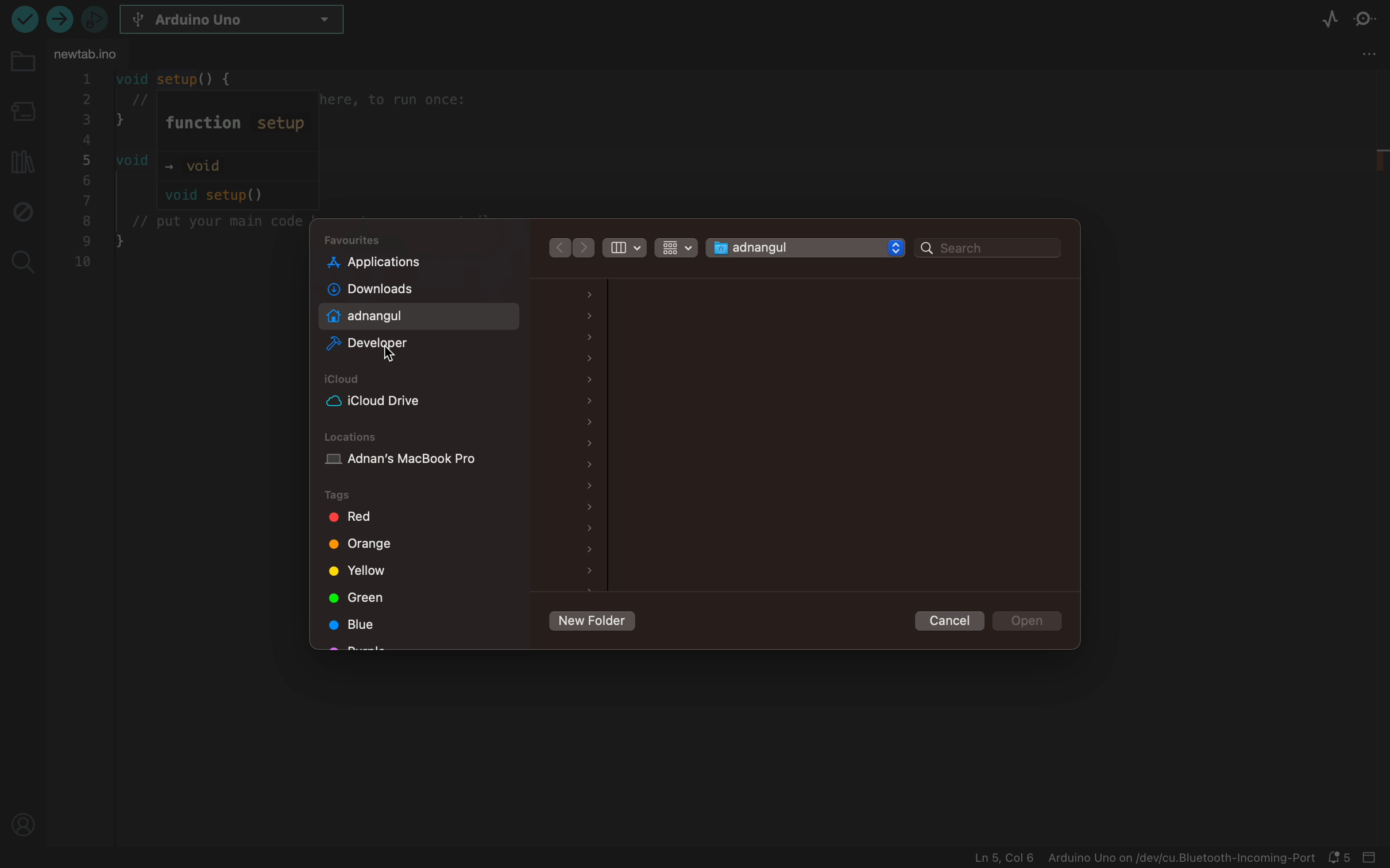 The width and height of the screenshot is (1390, 868). What do you see at coordinates (988, 249) in the screenshot?
I see `search bar` at bounding box center [988, 249].